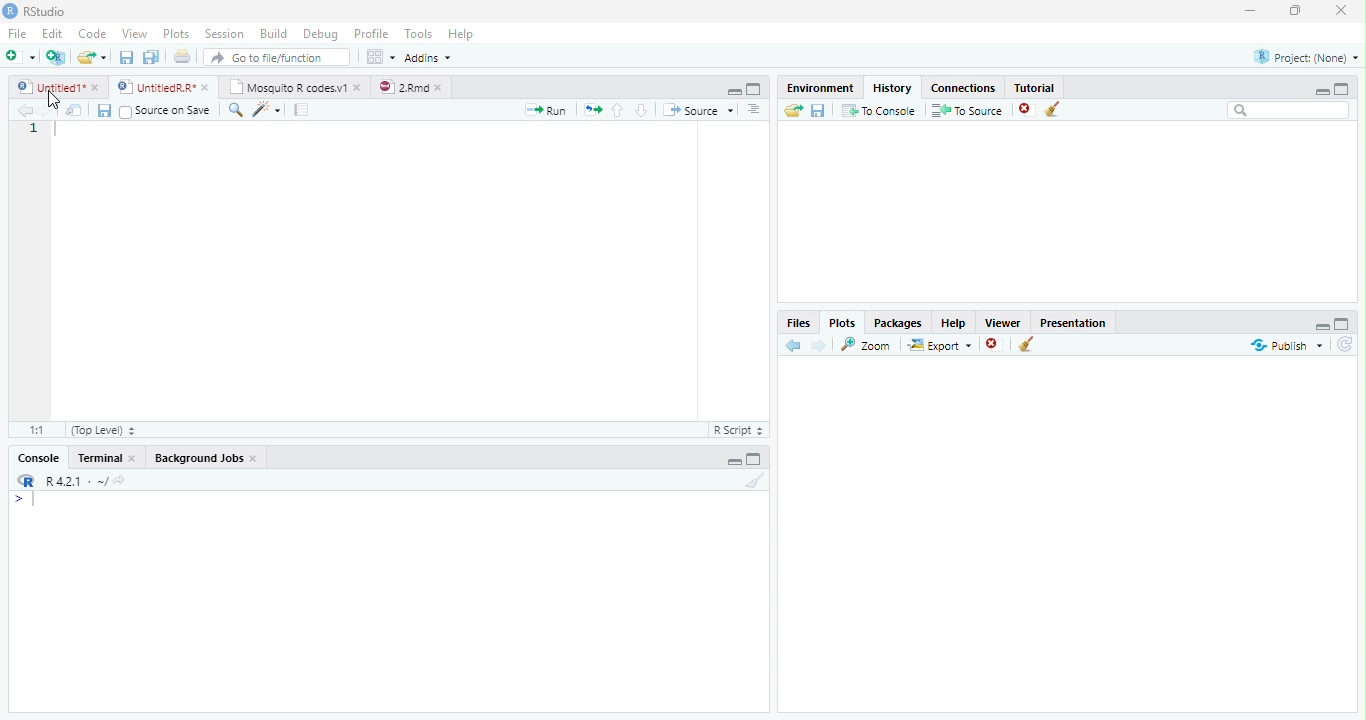 This screenshot has height=720, width=1366. What do you see at coordinates (57, 87) in the screenshot?
I see `Ungitied1*` at bounding box center [57, 87].